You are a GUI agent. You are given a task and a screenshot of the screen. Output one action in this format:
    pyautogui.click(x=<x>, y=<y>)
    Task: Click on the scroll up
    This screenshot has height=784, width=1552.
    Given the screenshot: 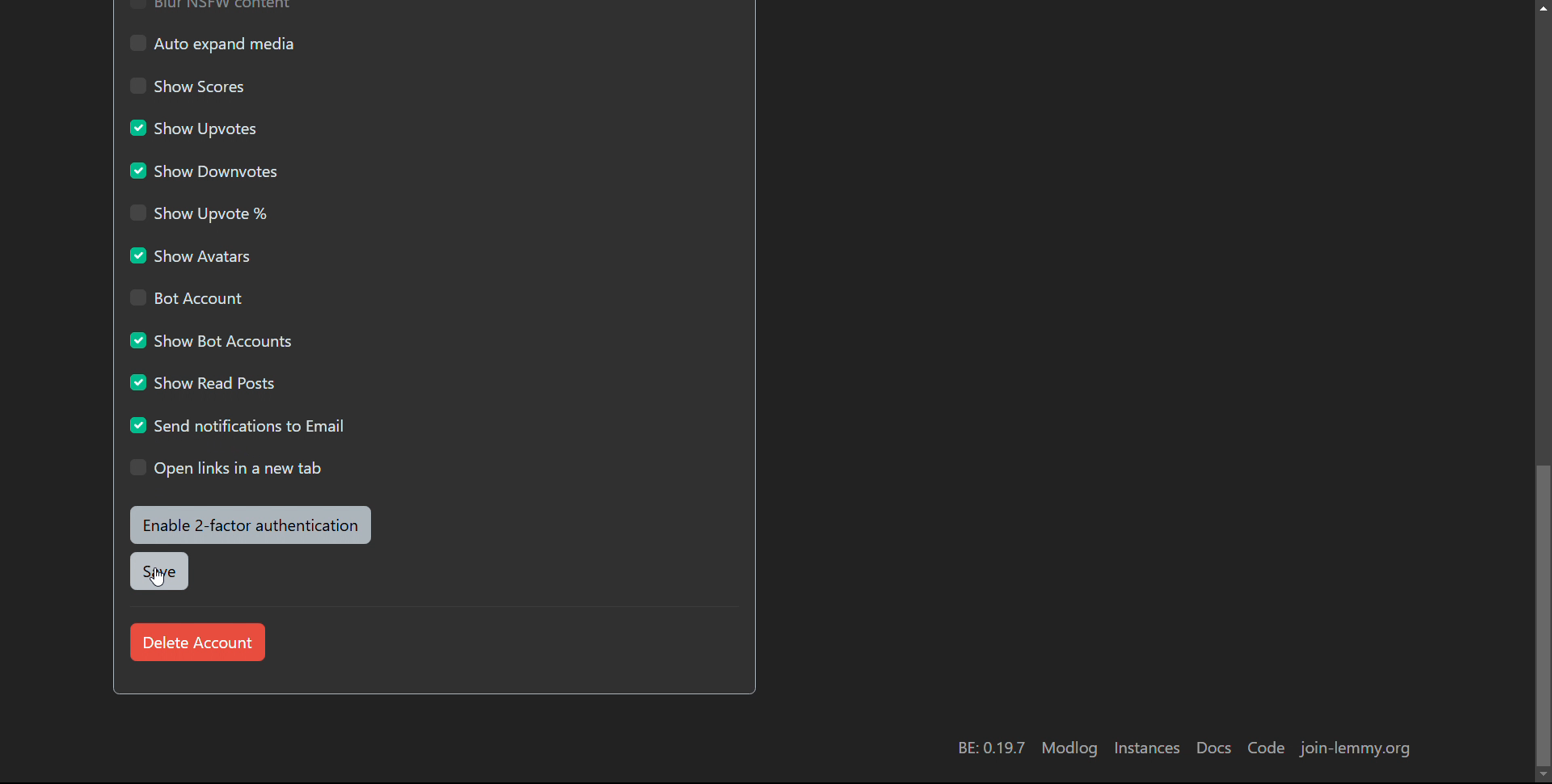 What is the action you would take?
    pyautogui.click(x=1542, y=6)
    